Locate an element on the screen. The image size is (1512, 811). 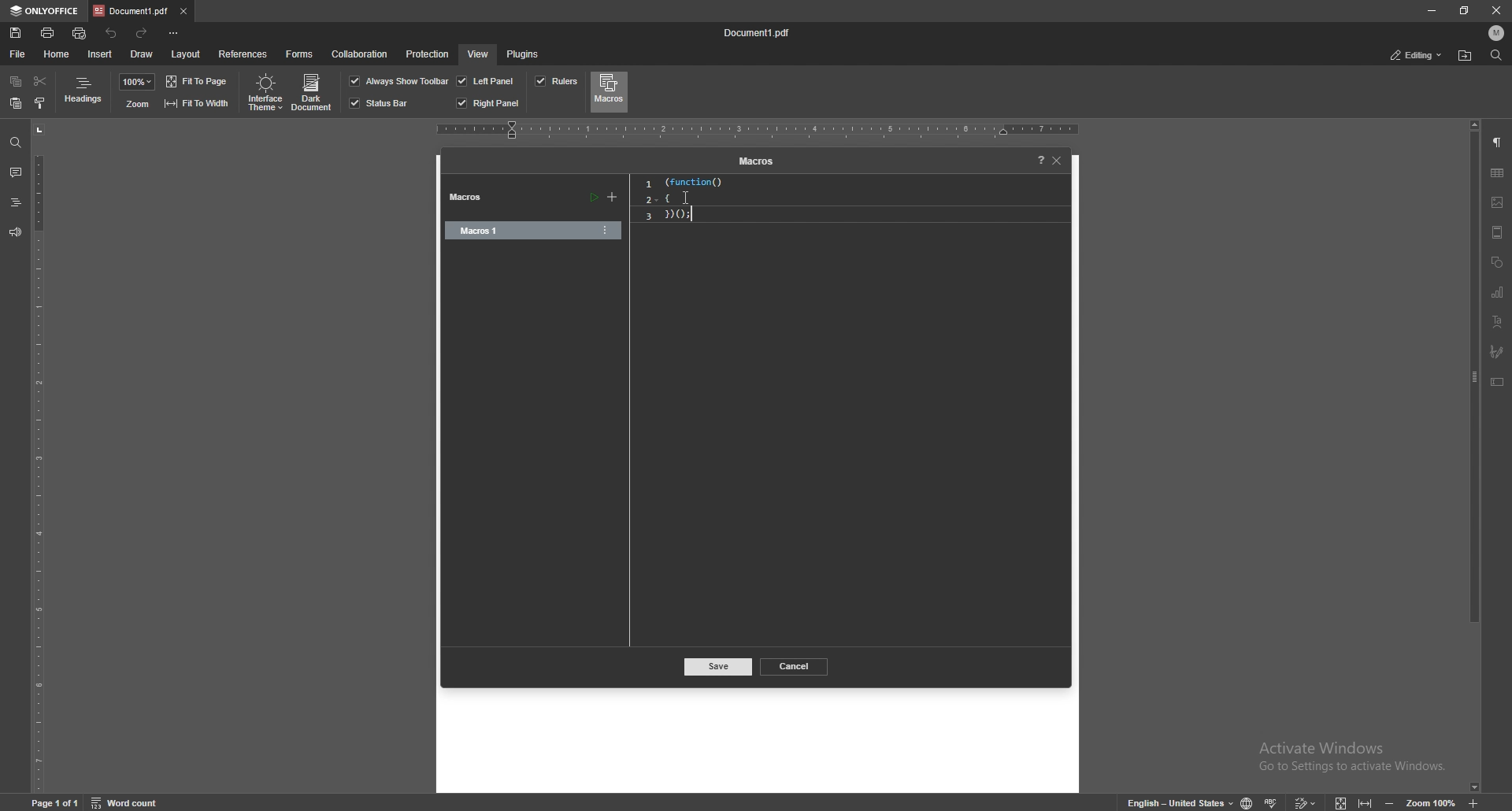
fit to screen is located at coordinates (1342, 802).